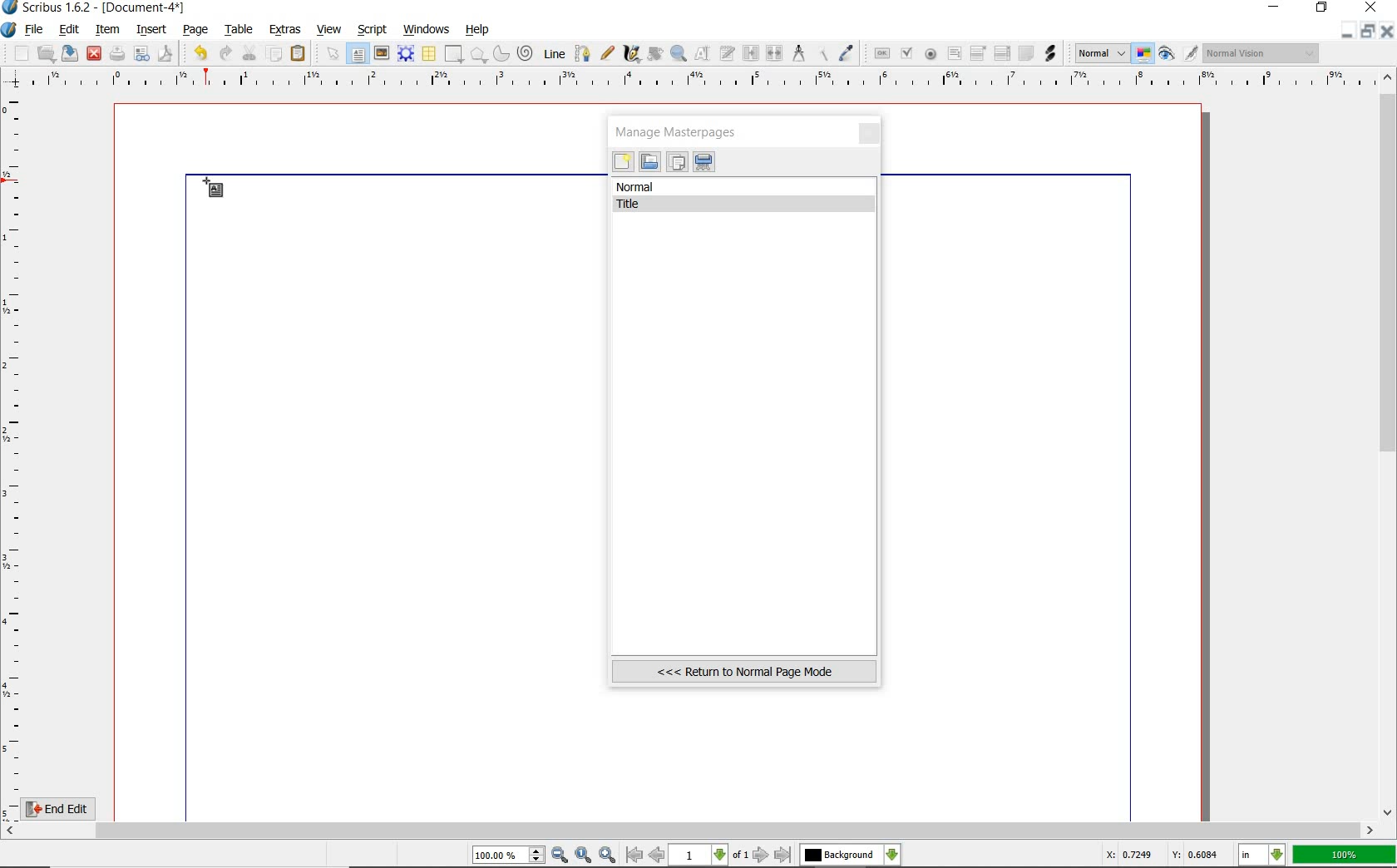  What do you see at coordinates (763, 855) in the screenshot?
I see `go to next page` at bounding box center [763, 855].